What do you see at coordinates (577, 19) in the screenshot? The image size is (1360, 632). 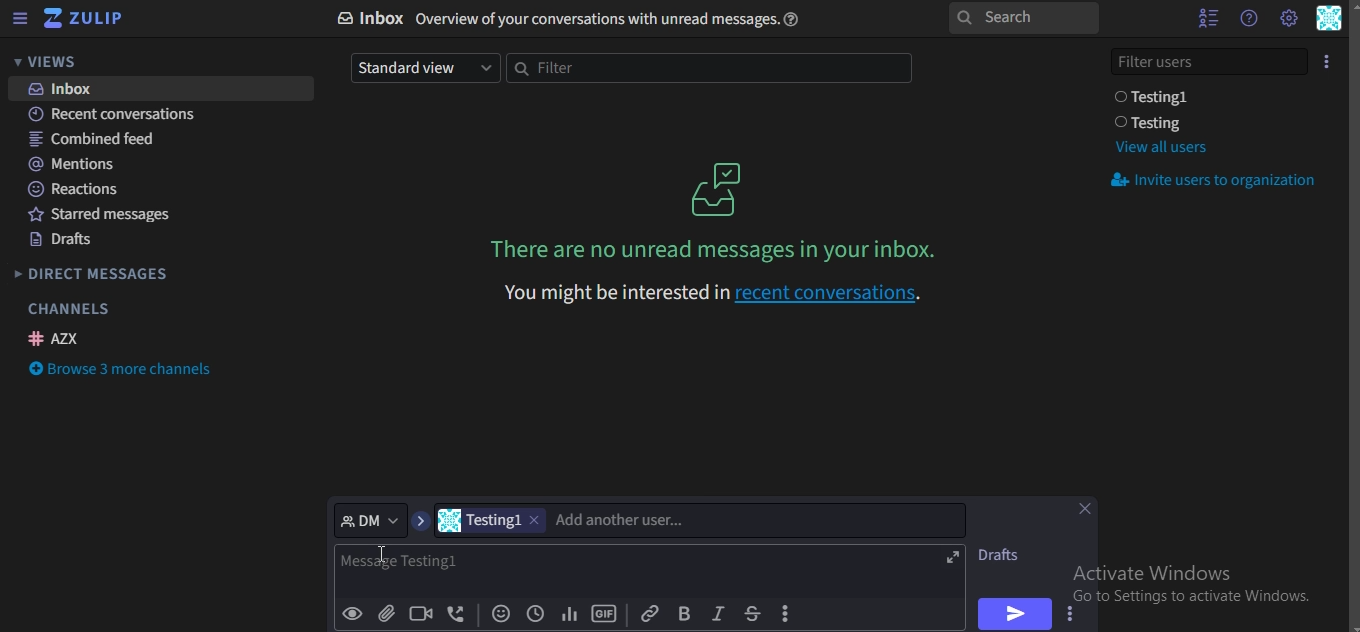 I see `inbox` at bounding box center [577, 19].